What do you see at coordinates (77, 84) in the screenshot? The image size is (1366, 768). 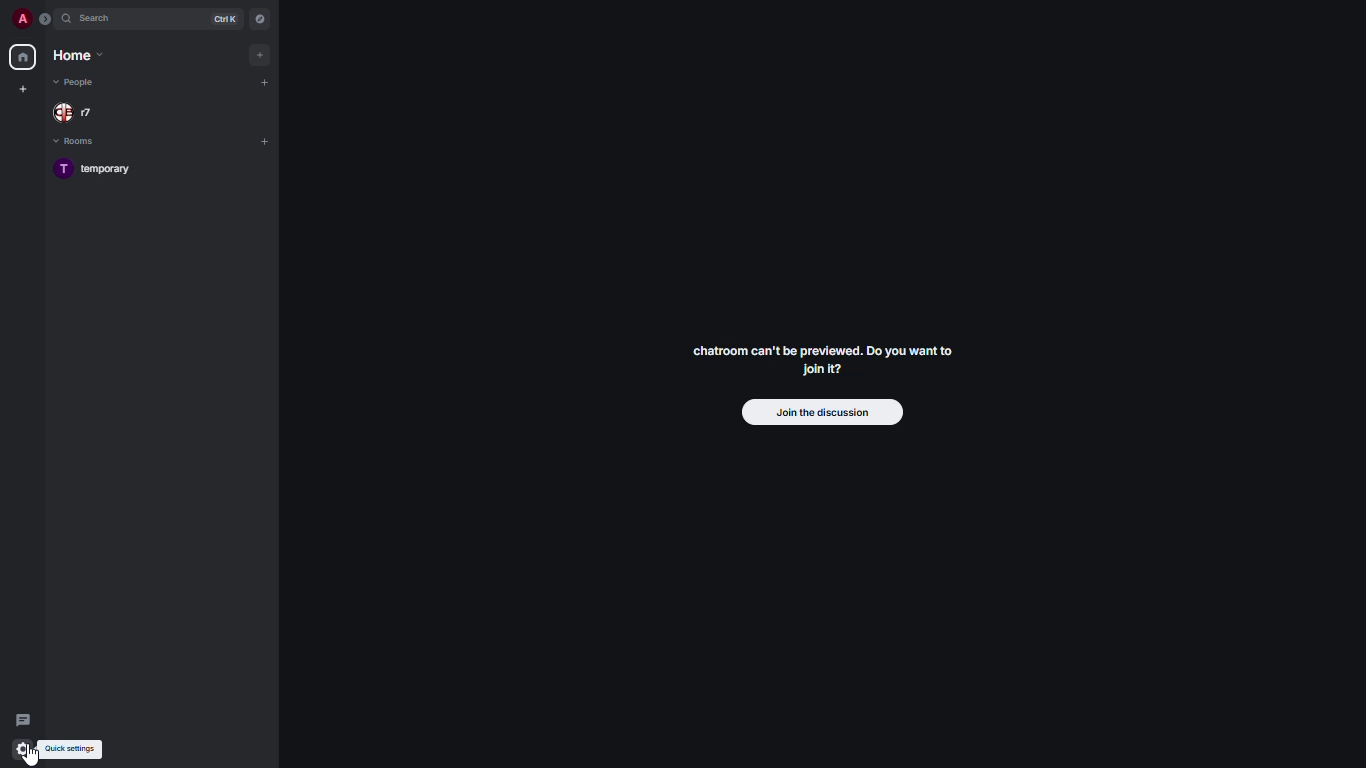 I see `people` at bounding box center [77, 84].